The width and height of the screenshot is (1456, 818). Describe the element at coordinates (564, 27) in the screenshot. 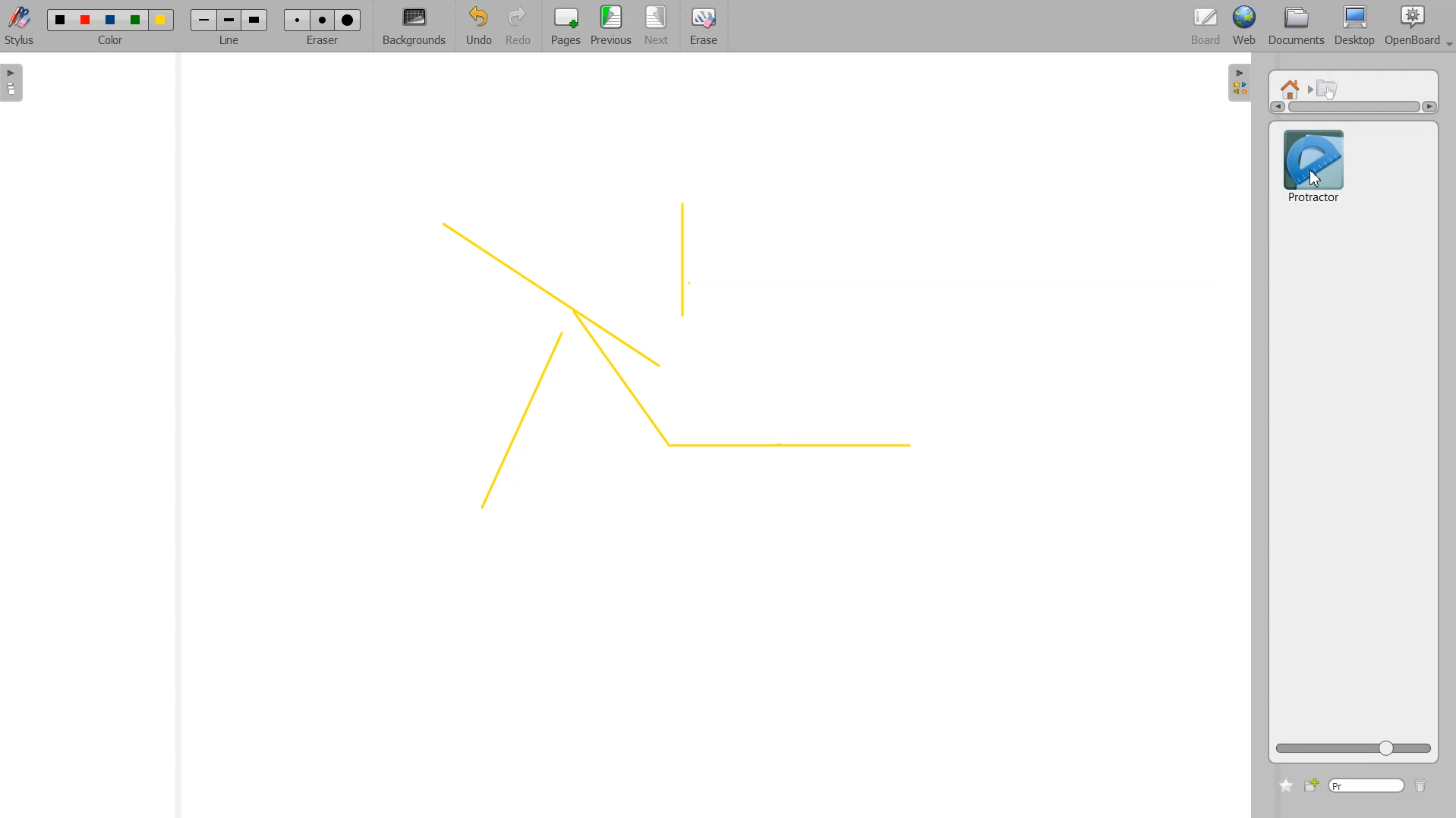

I see `Pages` at that location.